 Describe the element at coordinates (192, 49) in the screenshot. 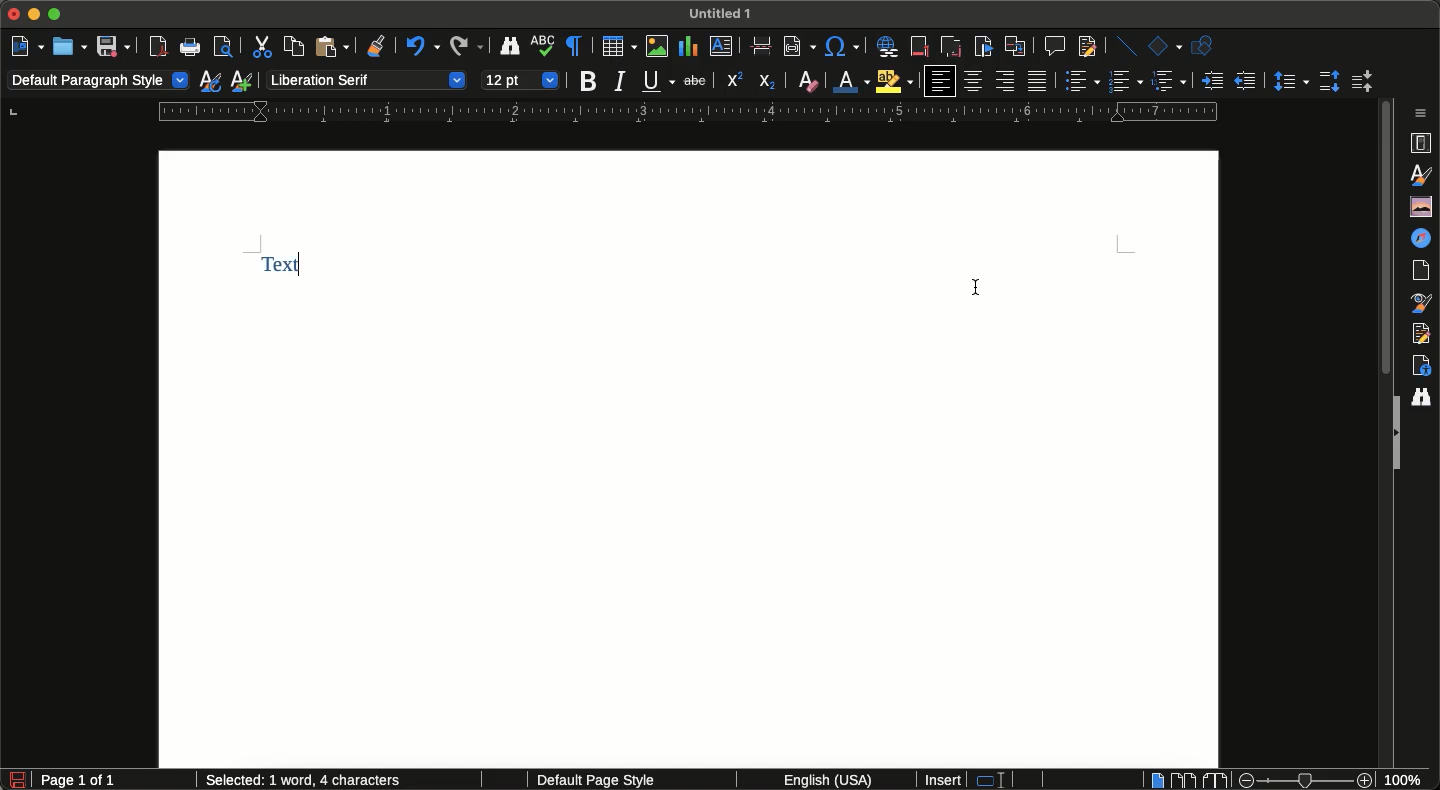

I see `Print` at that location.